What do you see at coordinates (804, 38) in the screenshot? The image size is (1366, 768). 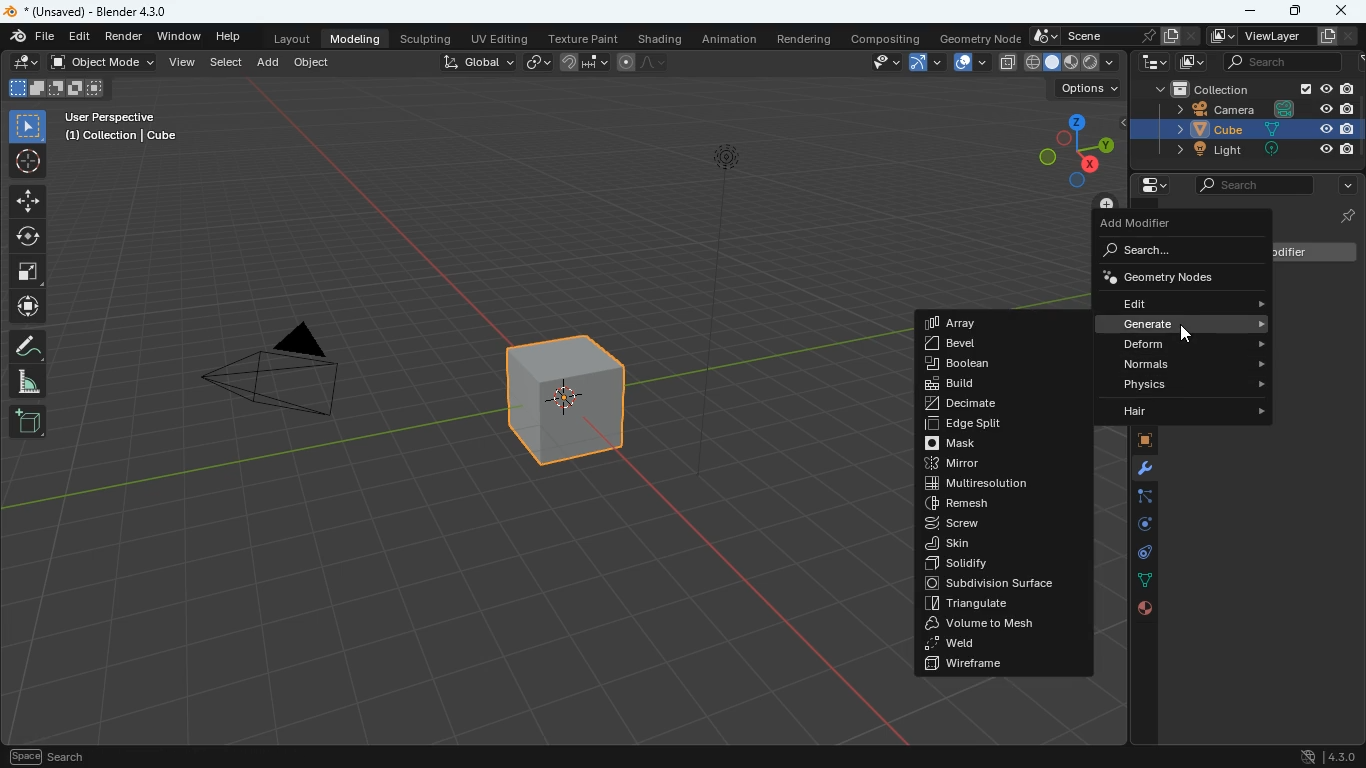 I see `rendering` at bounding box center [804, 38].